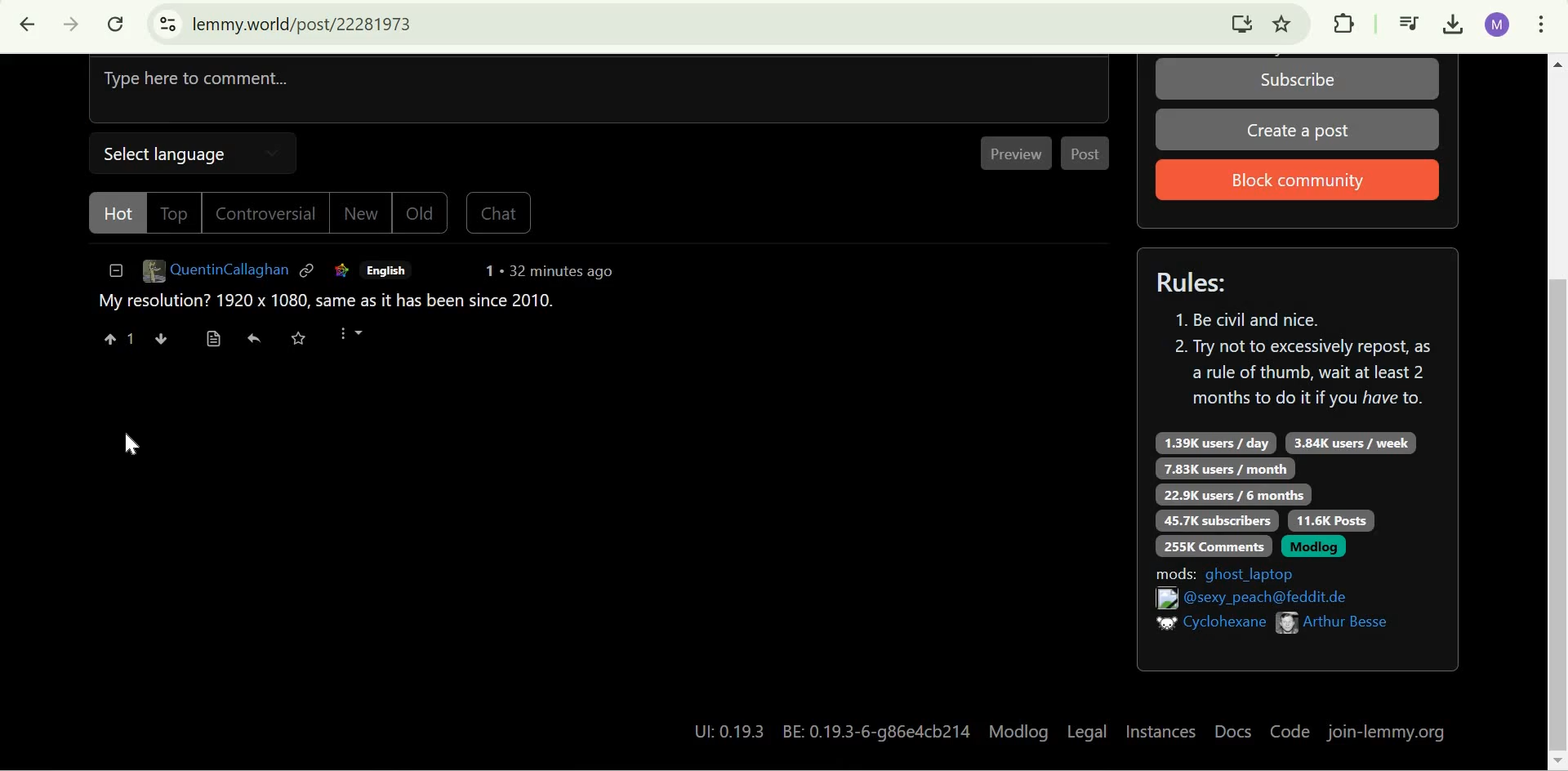  Describe the element at coordinates (118, 24) in the screenshot. I see `Reload this page` at that location.